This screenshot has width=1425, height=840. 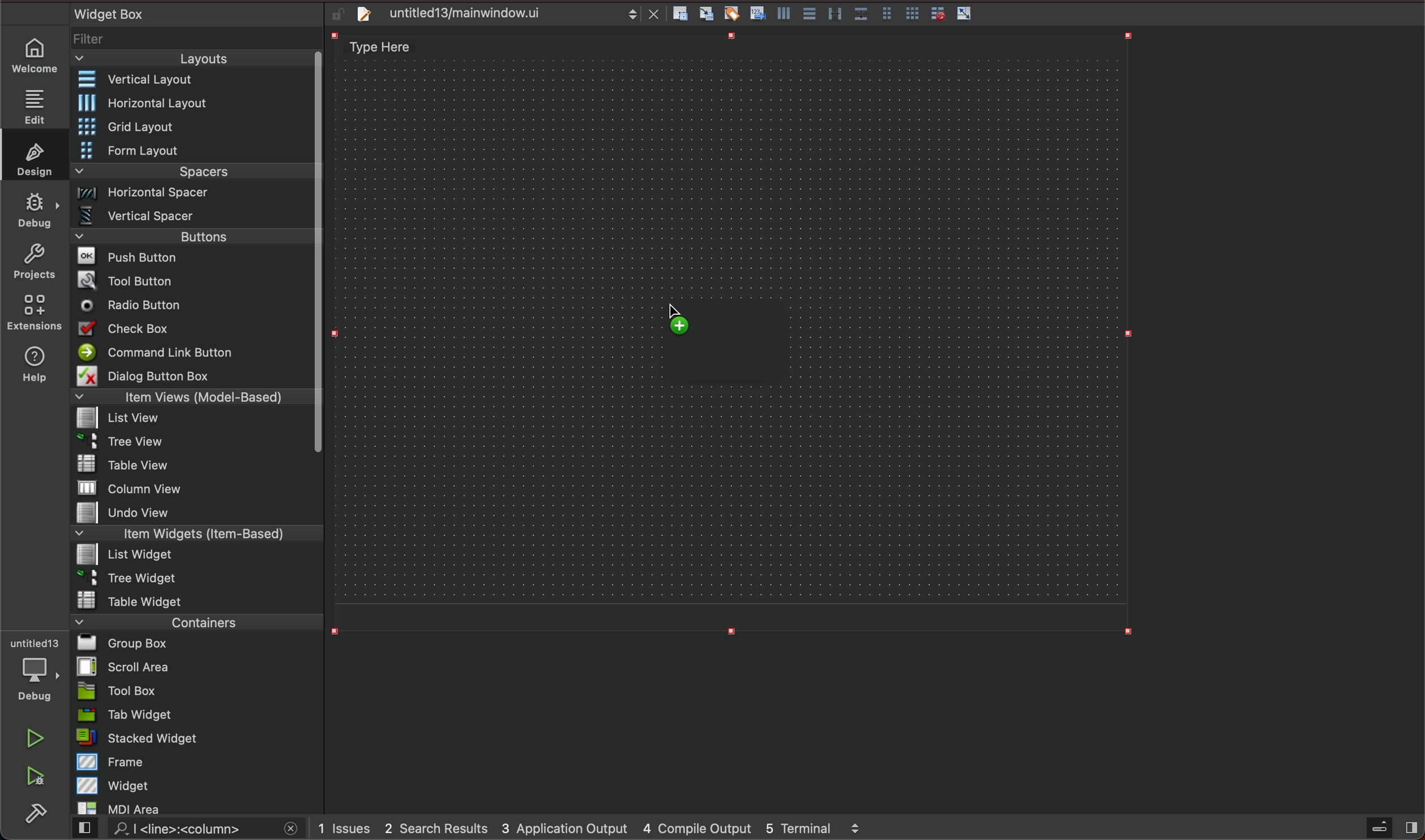 I want to click on , so click(x=914, y=14).